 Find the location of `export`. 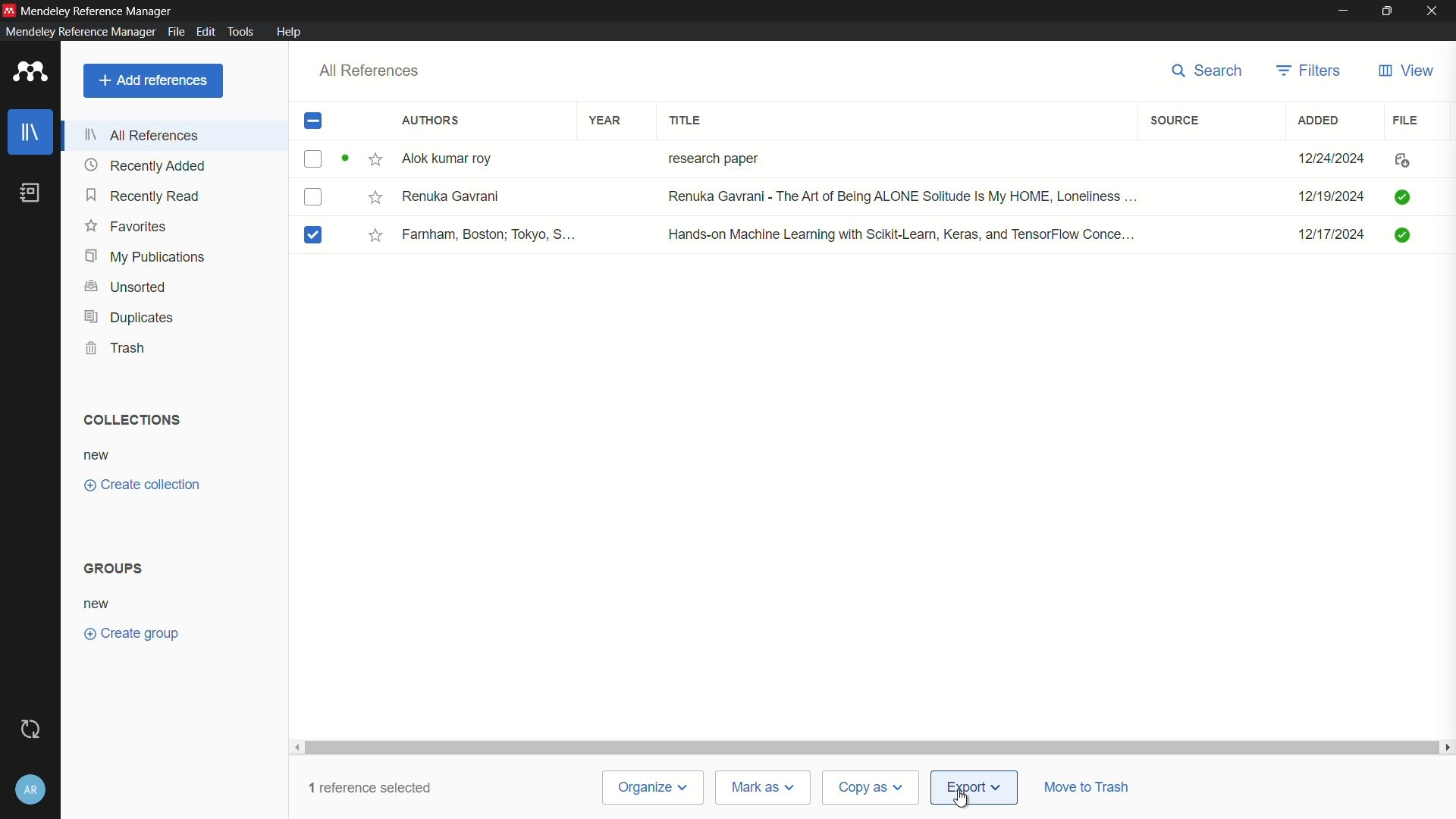

export is located at coordinates (974, 789).